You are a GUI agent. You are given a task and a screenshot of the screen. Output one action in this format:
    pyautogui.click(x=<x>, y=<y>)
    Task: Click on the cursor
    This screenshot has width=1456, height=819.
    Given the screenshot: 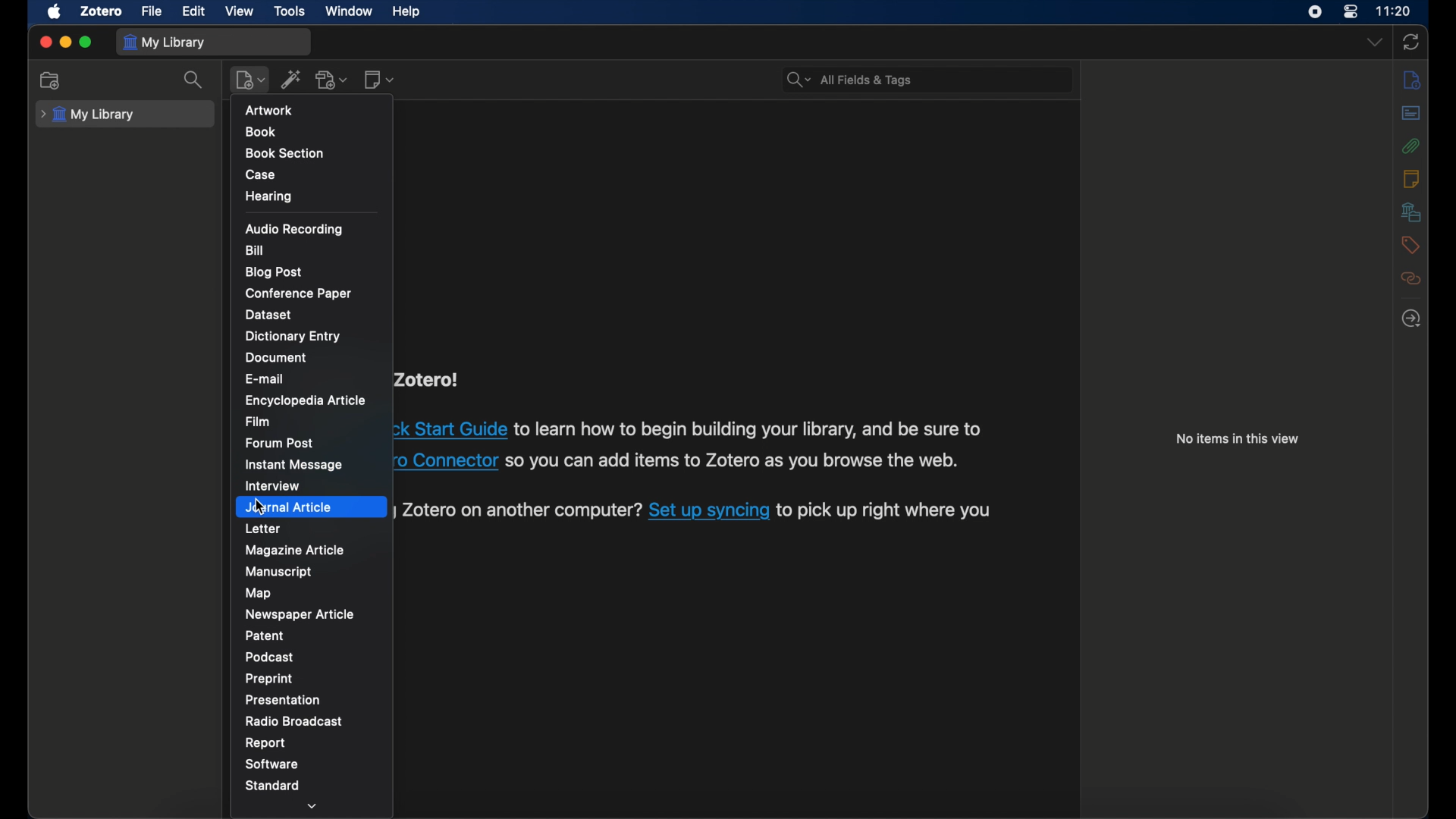 What is the action you would take?
    pyautogui.click(x=260, y=508)
    